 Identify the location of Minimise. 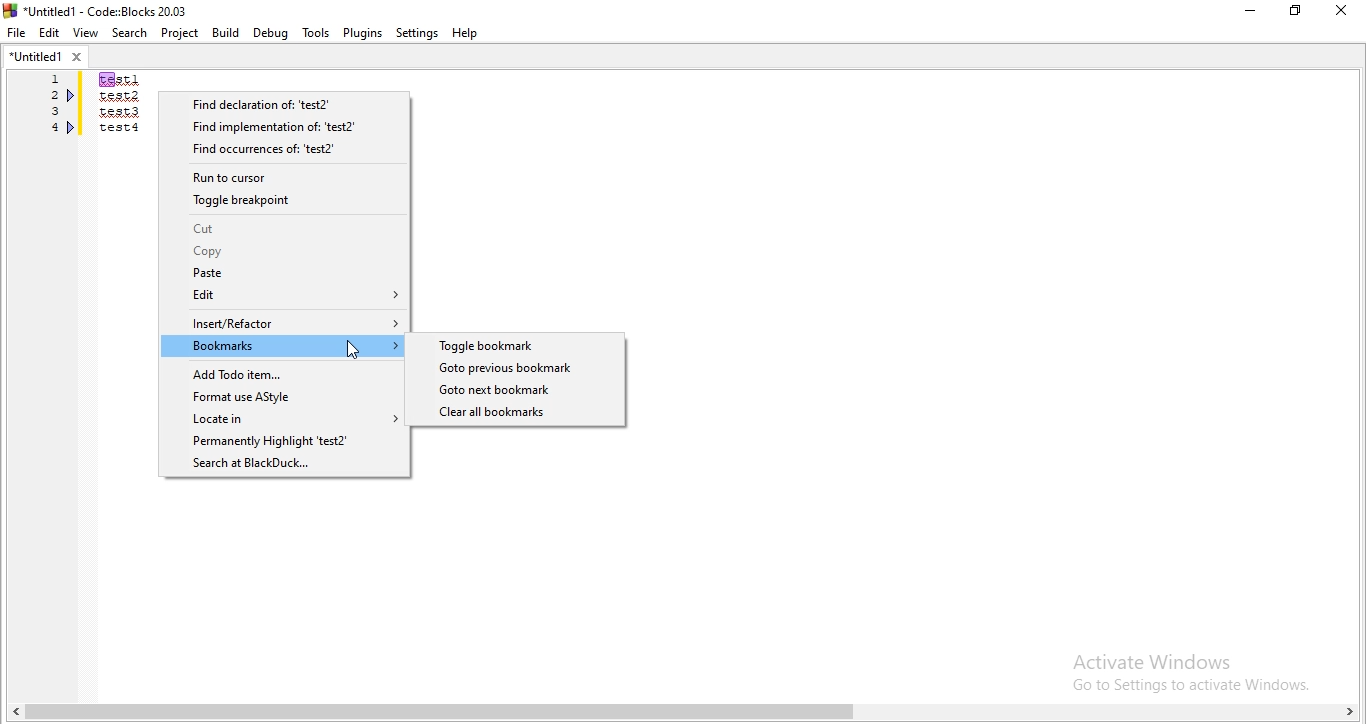
(1248, 14).